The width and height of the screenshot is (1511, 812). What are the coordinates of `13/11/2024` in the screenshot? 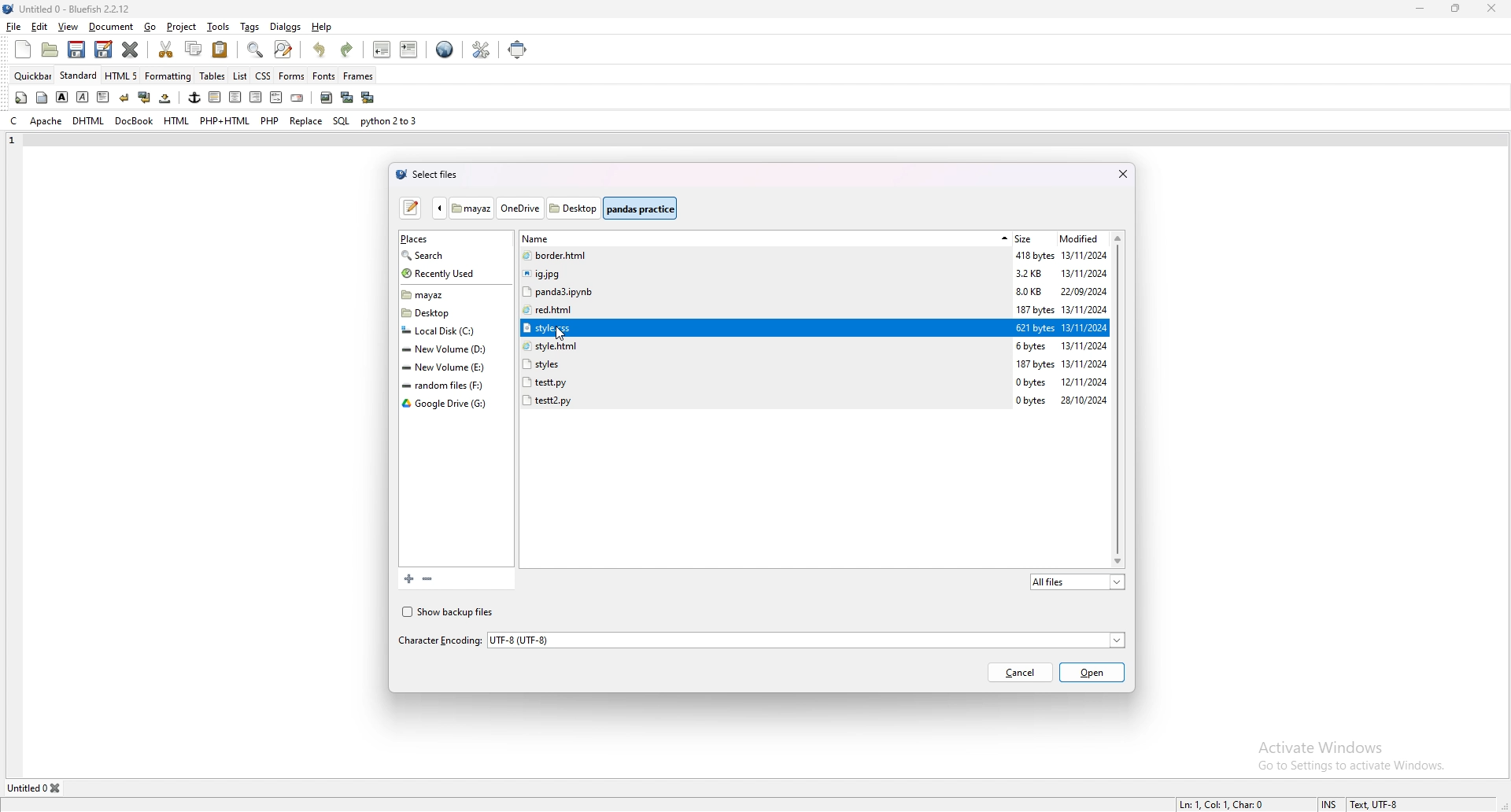 It's located at (1084, 256).